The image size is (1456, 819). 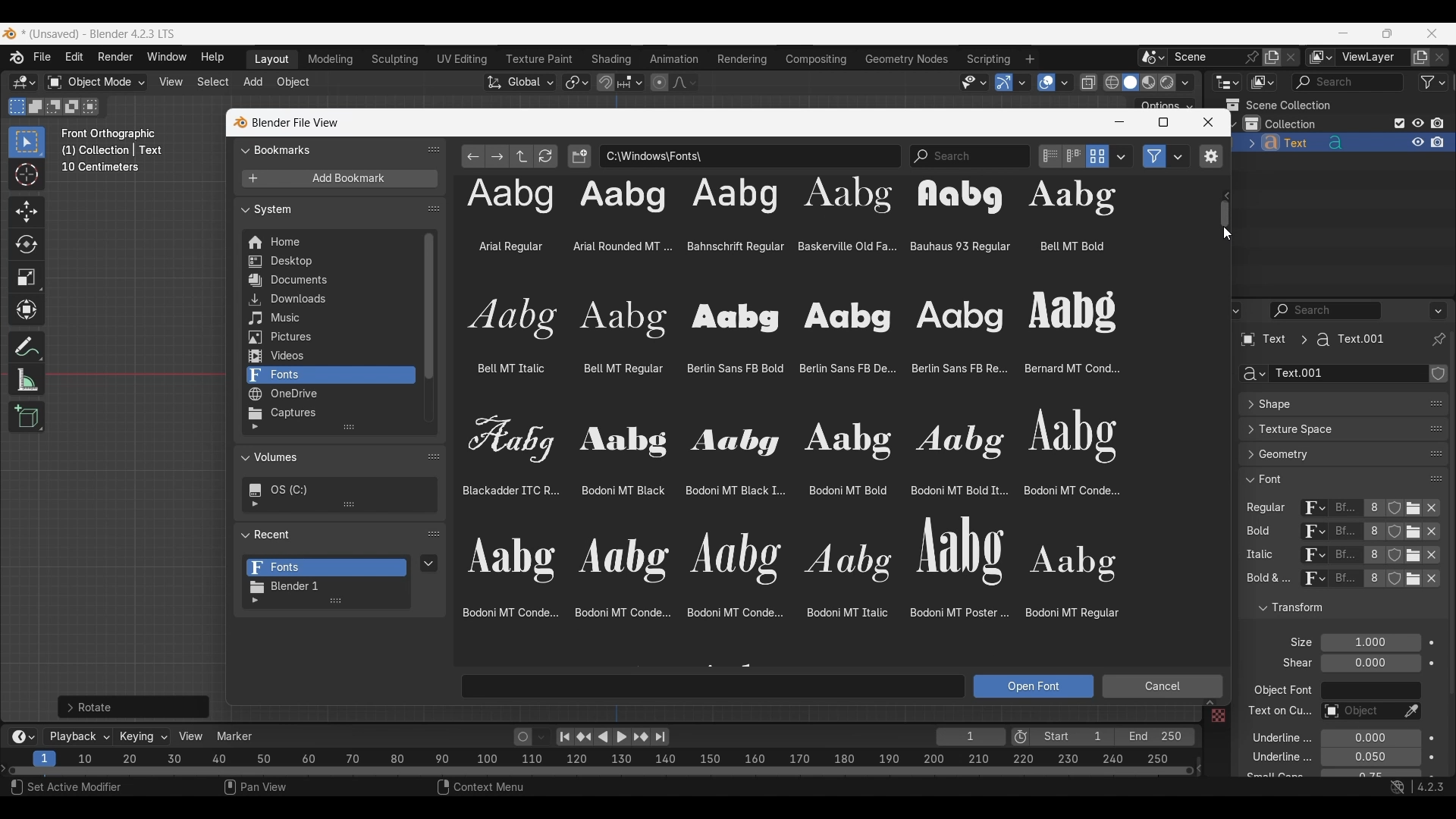 I want to click on 10 20 30 40 50 60 70 80 90 100 110 120 130 140 150 160 170 180 190 200 210 220 230 240 250, so click(x=627, y=757).